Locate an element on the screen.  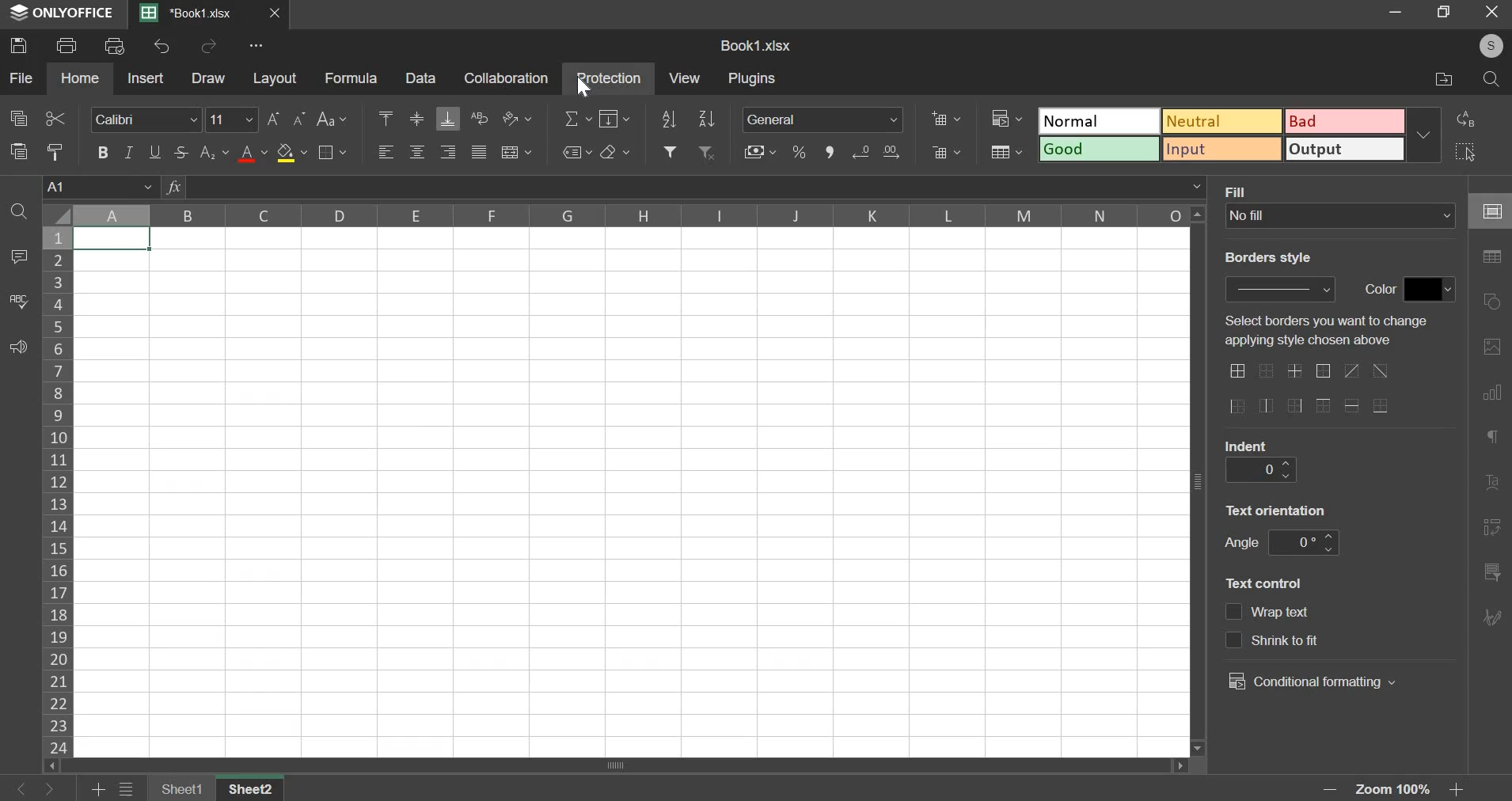
border options is located at coordinates (1354, 405).